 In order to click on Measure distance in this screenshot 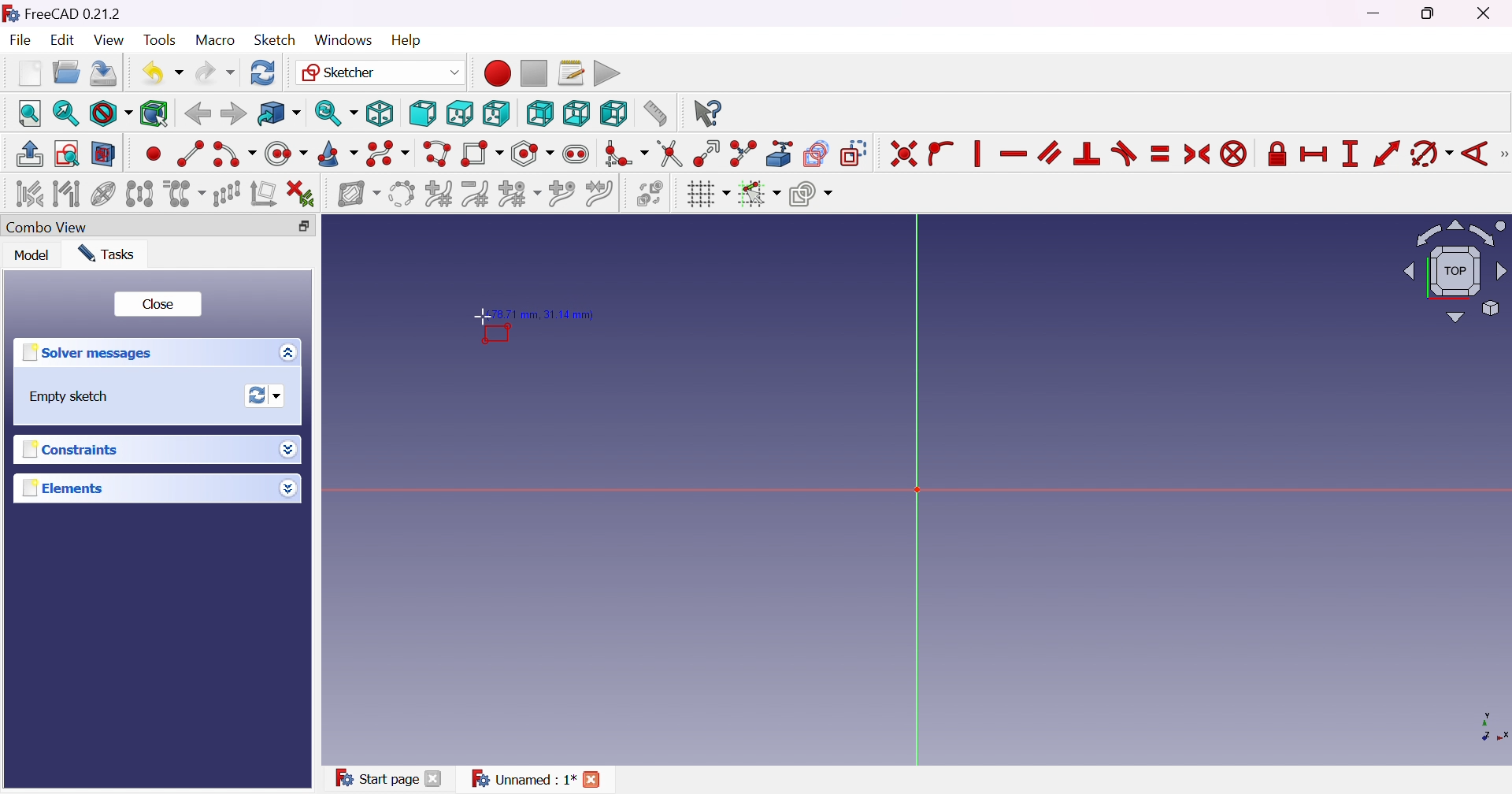, I will do `click(654, 113)`.